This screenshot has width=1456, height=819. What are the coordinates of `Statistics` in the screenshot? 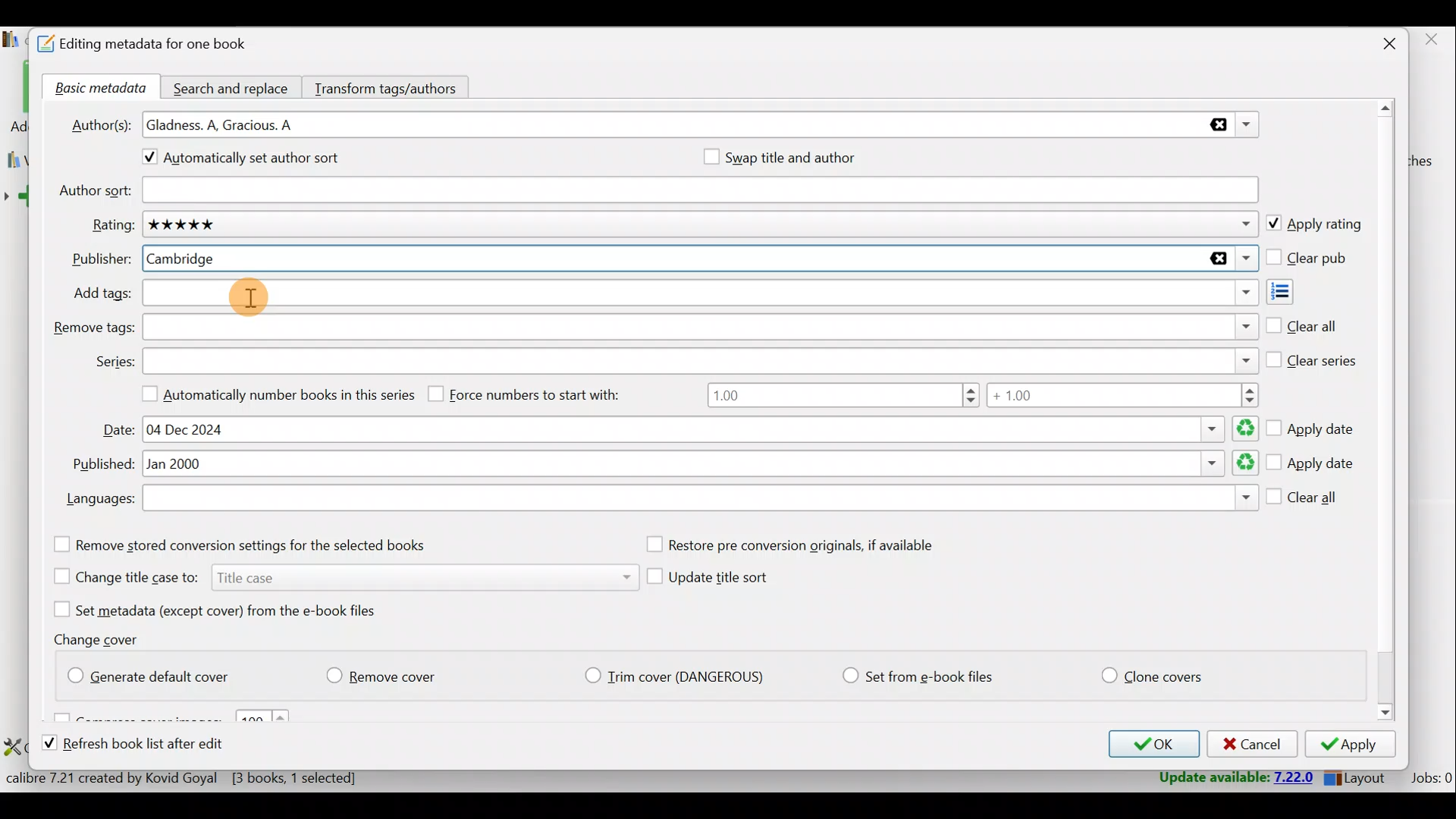 It's located at (210, 777).